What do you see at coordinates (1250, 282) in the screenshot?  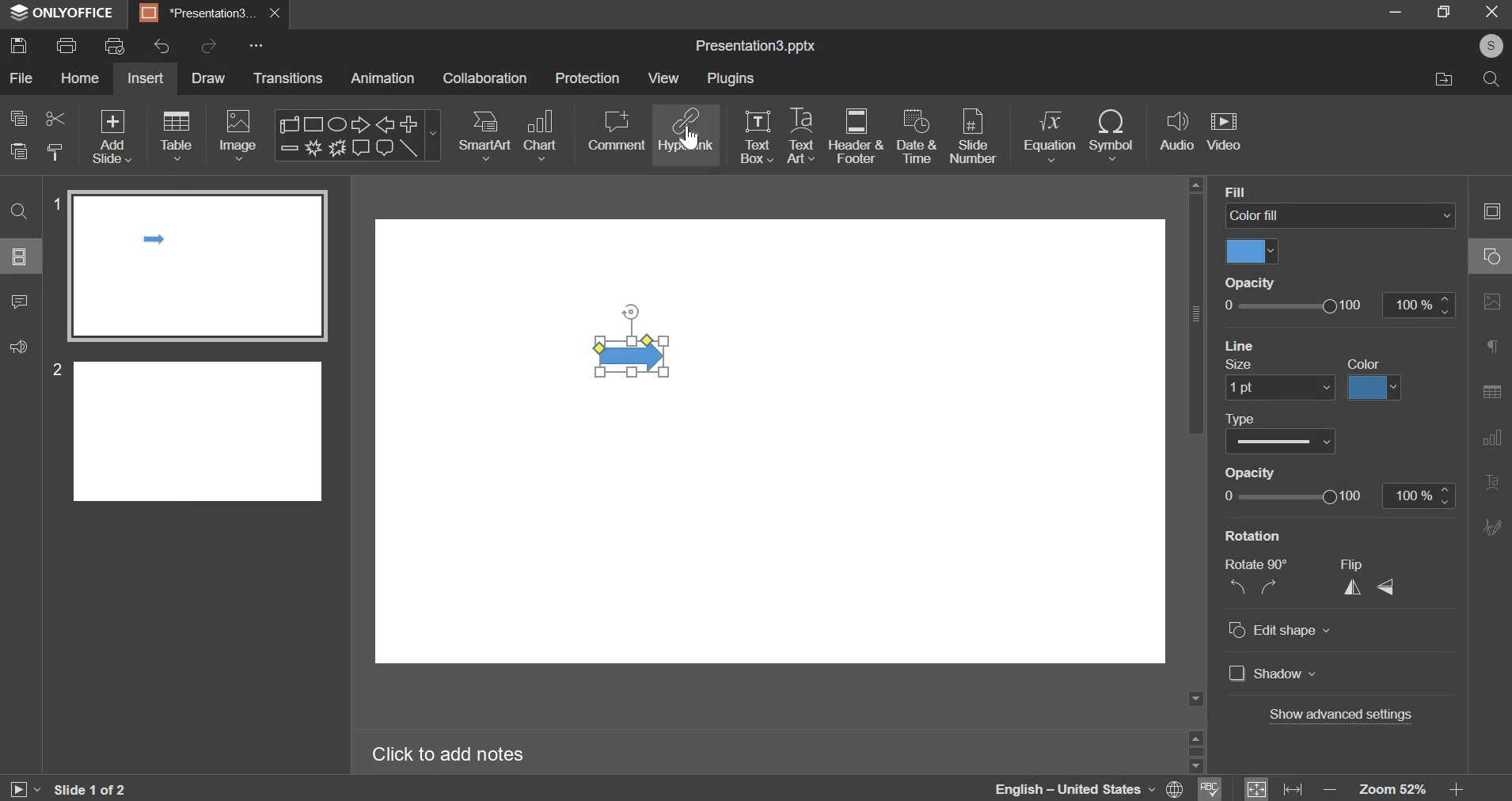 I see `Opacity` at bounding box center [1250, 282].